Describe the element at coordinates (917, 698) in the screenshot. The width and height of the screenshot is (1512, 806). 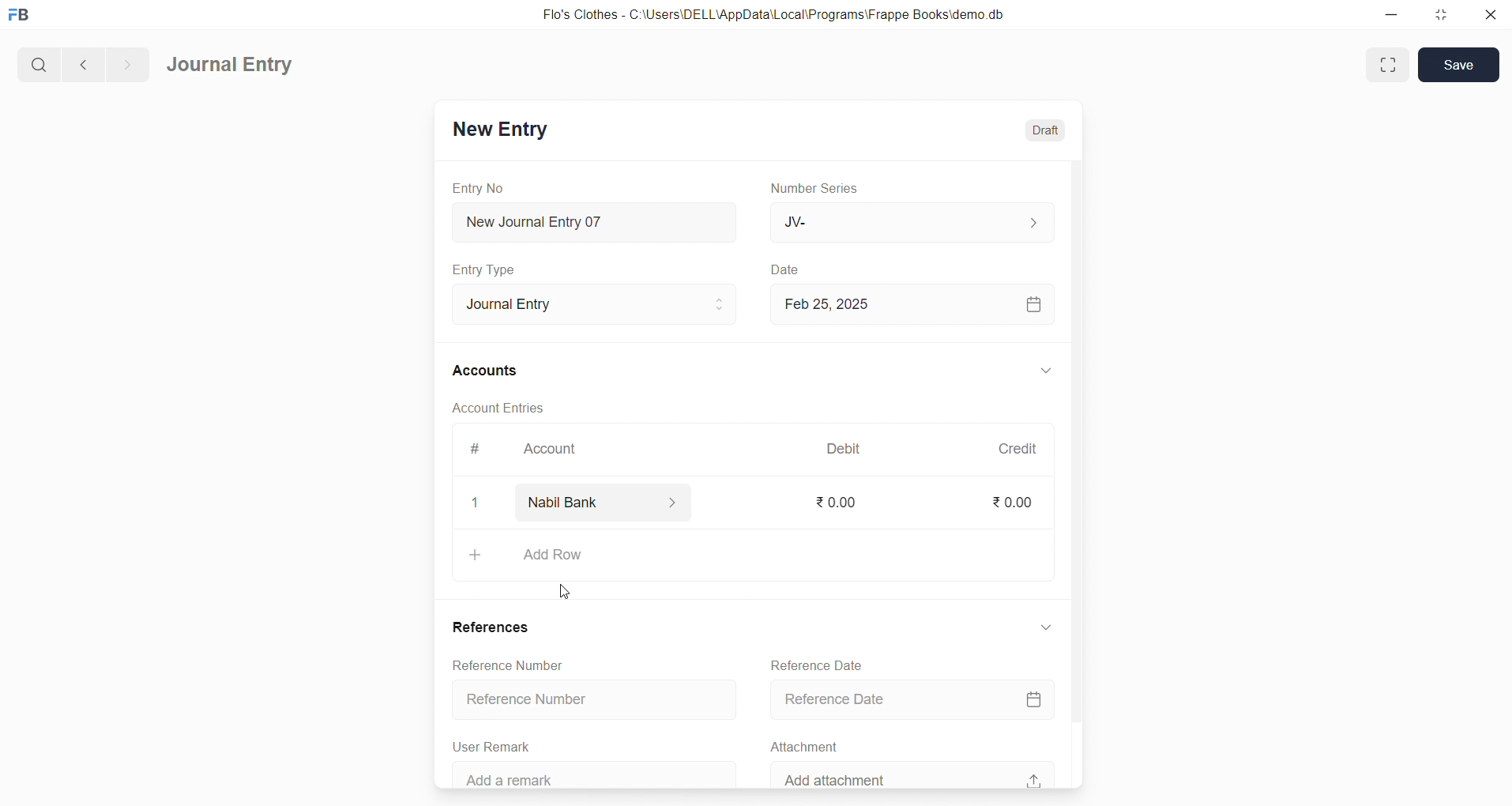
I see `Reference Date` at that location.